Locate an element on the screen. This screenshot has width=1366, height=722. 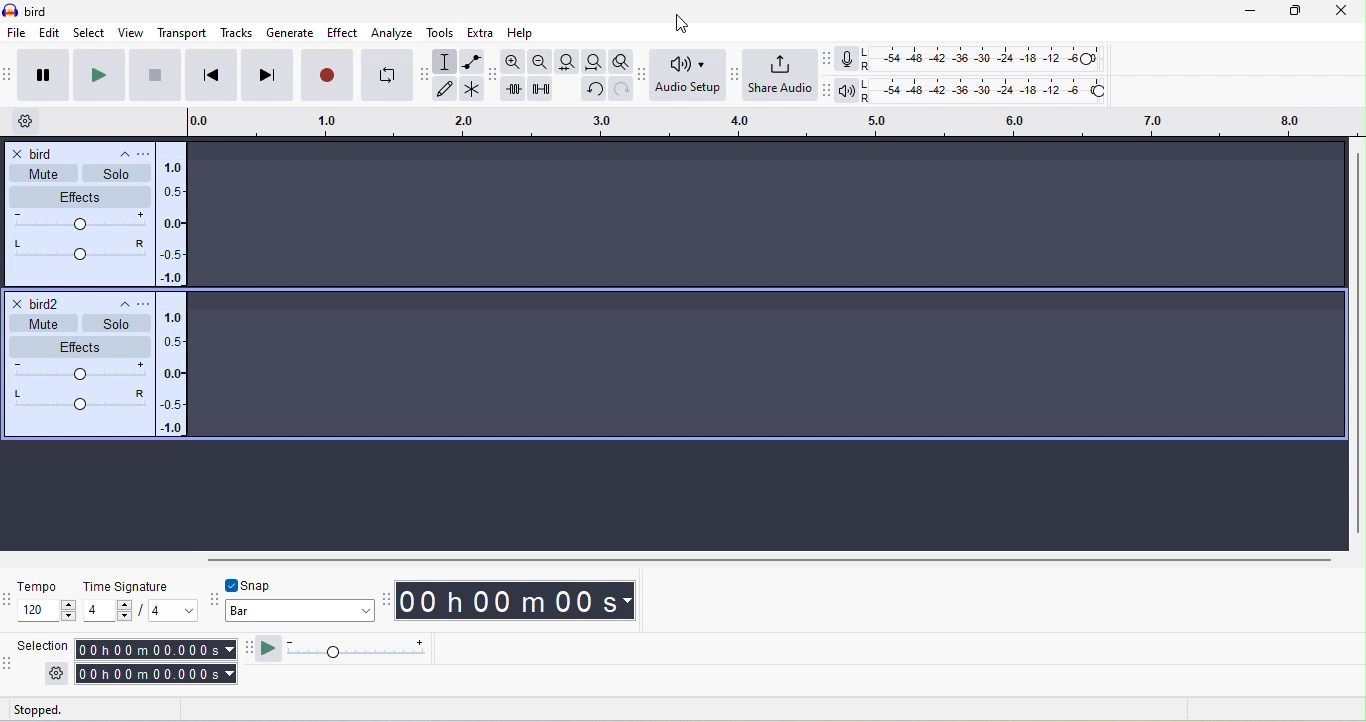
analyze is located at coordinates (391, 31).